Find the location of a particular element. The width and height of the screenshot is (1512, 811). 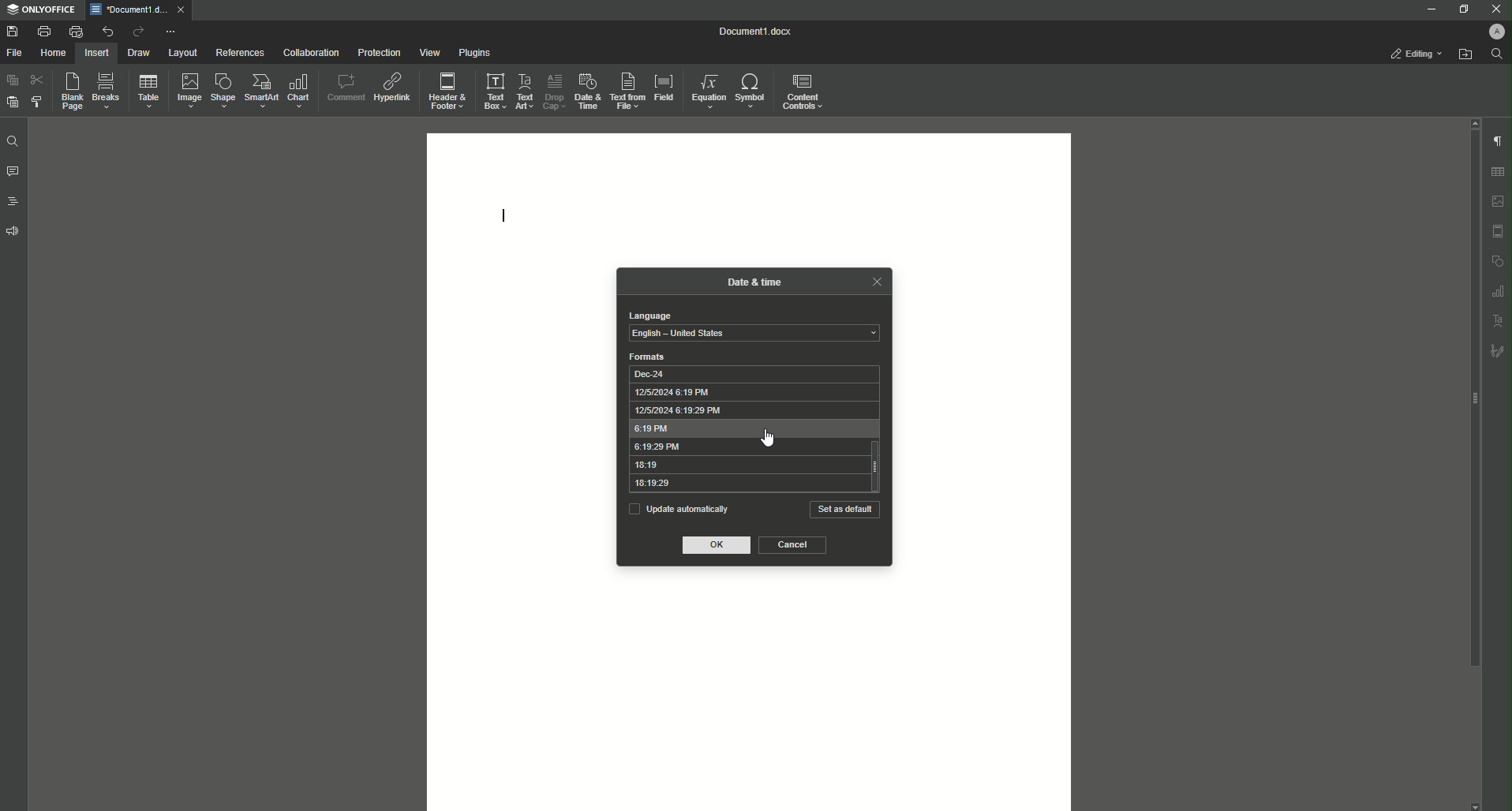

Shape is located at coordinates (220, 91).